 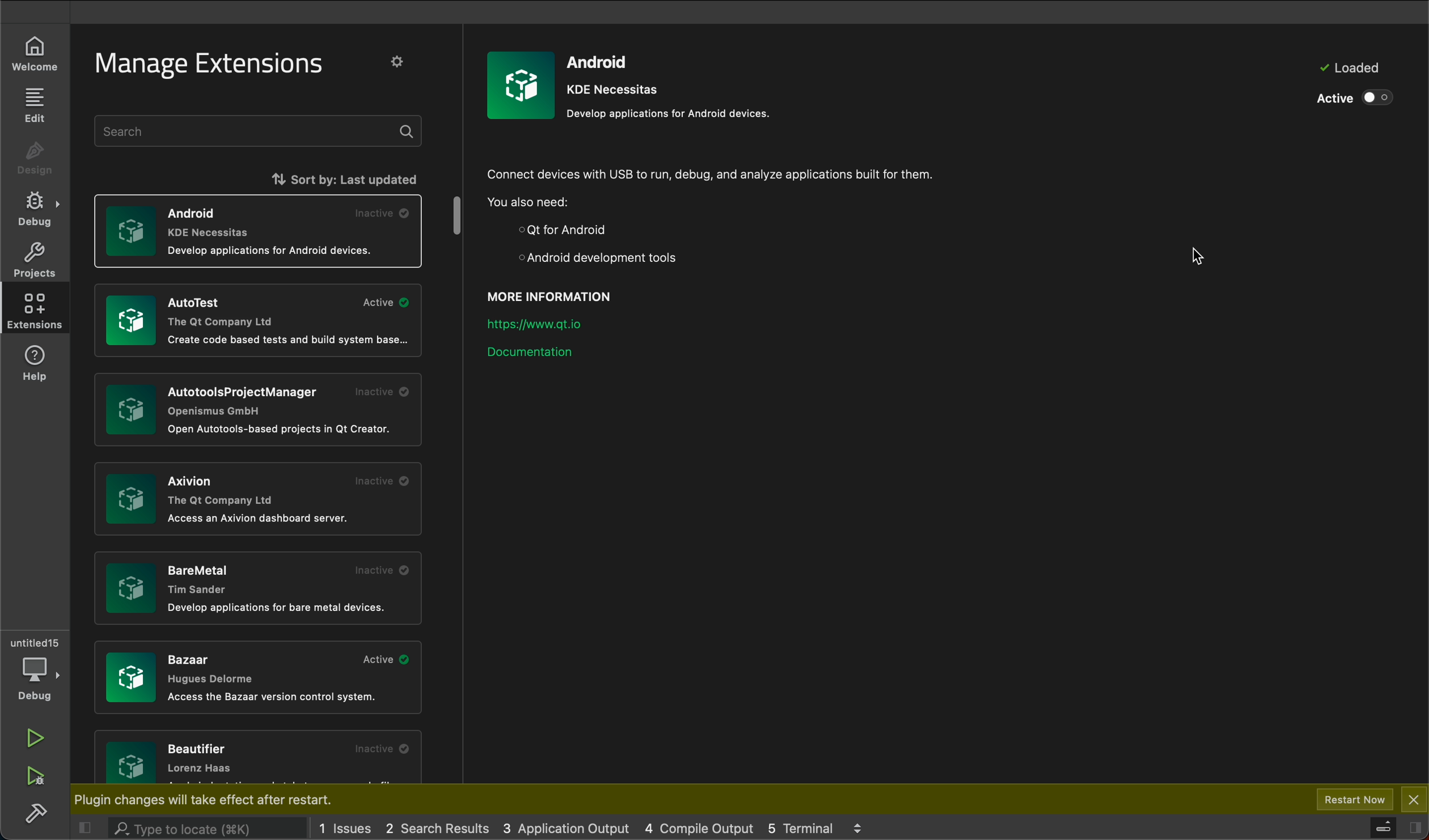 What do you see at coordinates (35, 260) in the screenshot?
I see `projects` at bounding box center [35, 260].